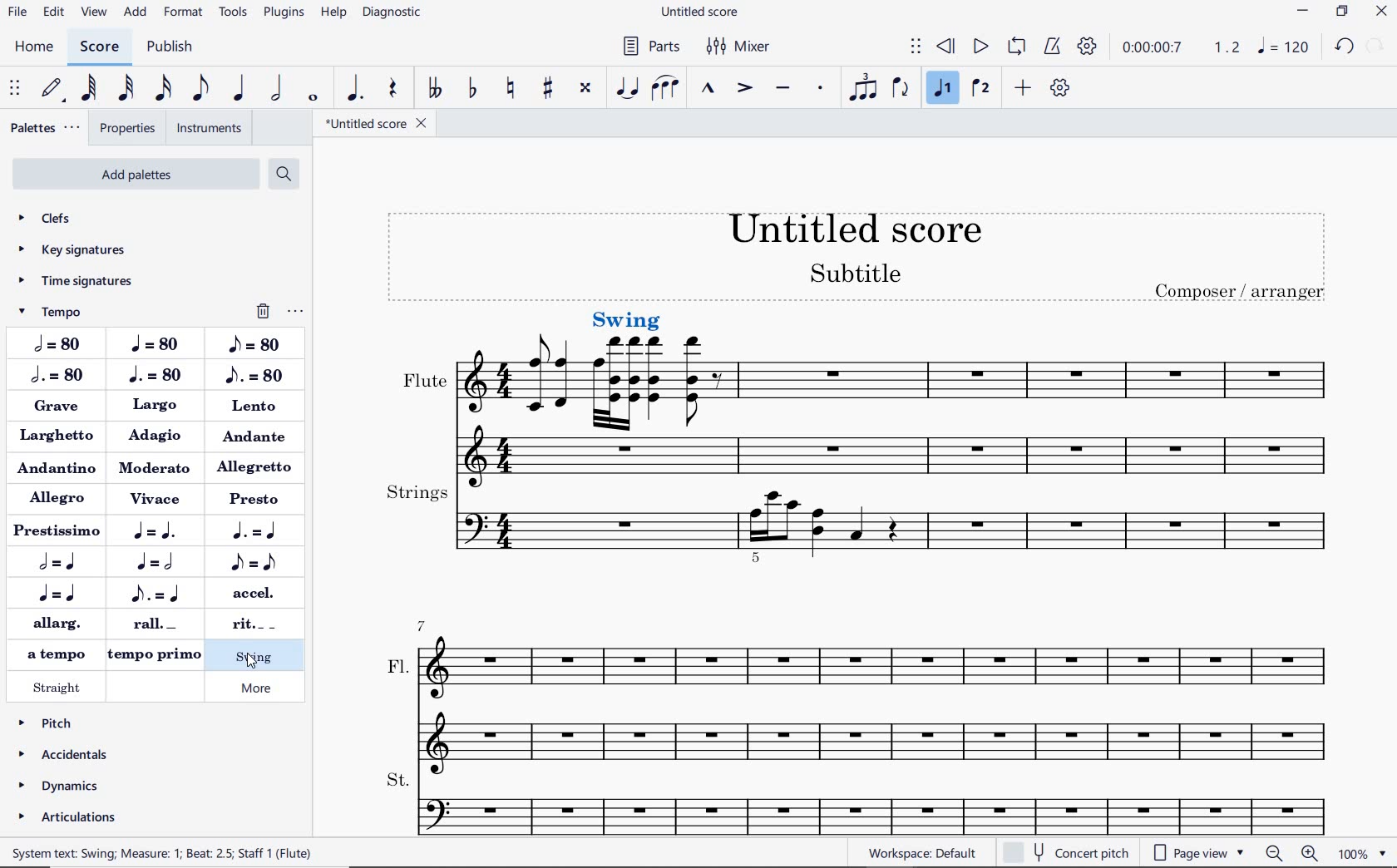 Image resolution: width=1397 pixels, height=868 pixels. I want to click on ALLEGRETTO, so click(258, 466).